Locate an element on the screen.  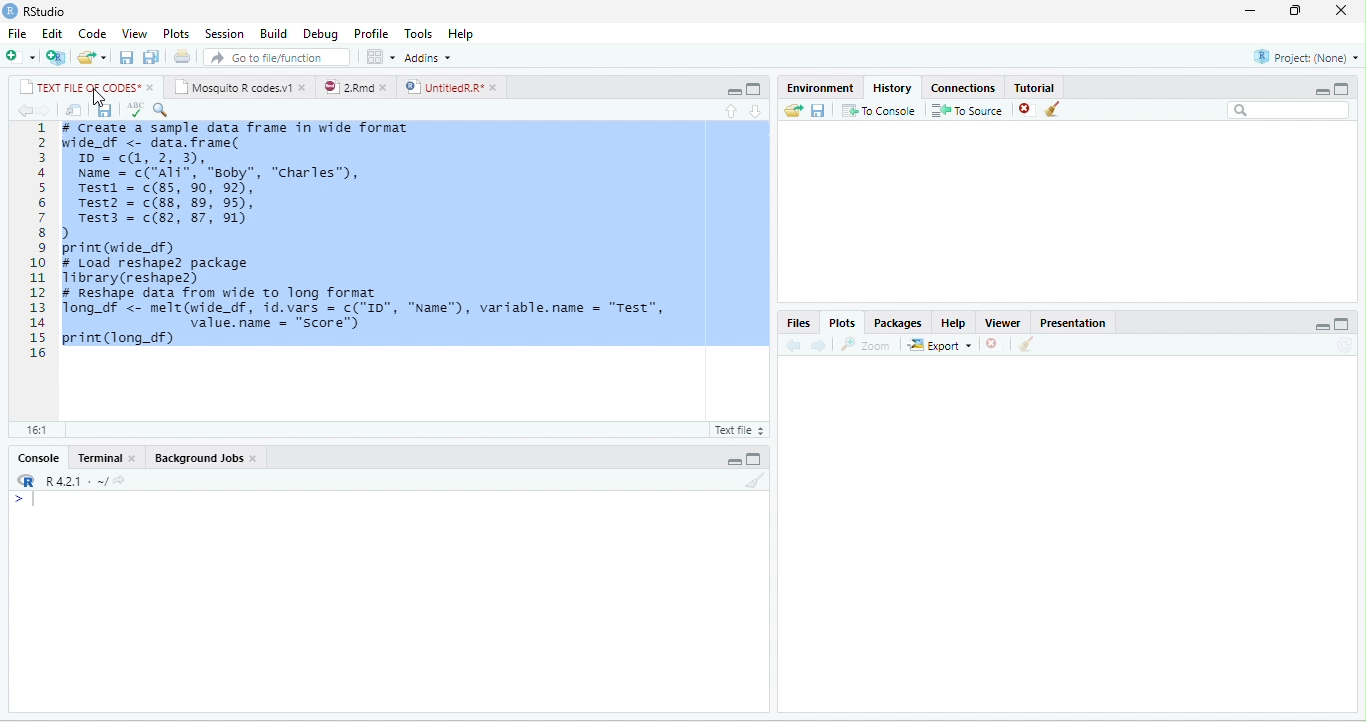
forward is located at coordinates (819, 345).